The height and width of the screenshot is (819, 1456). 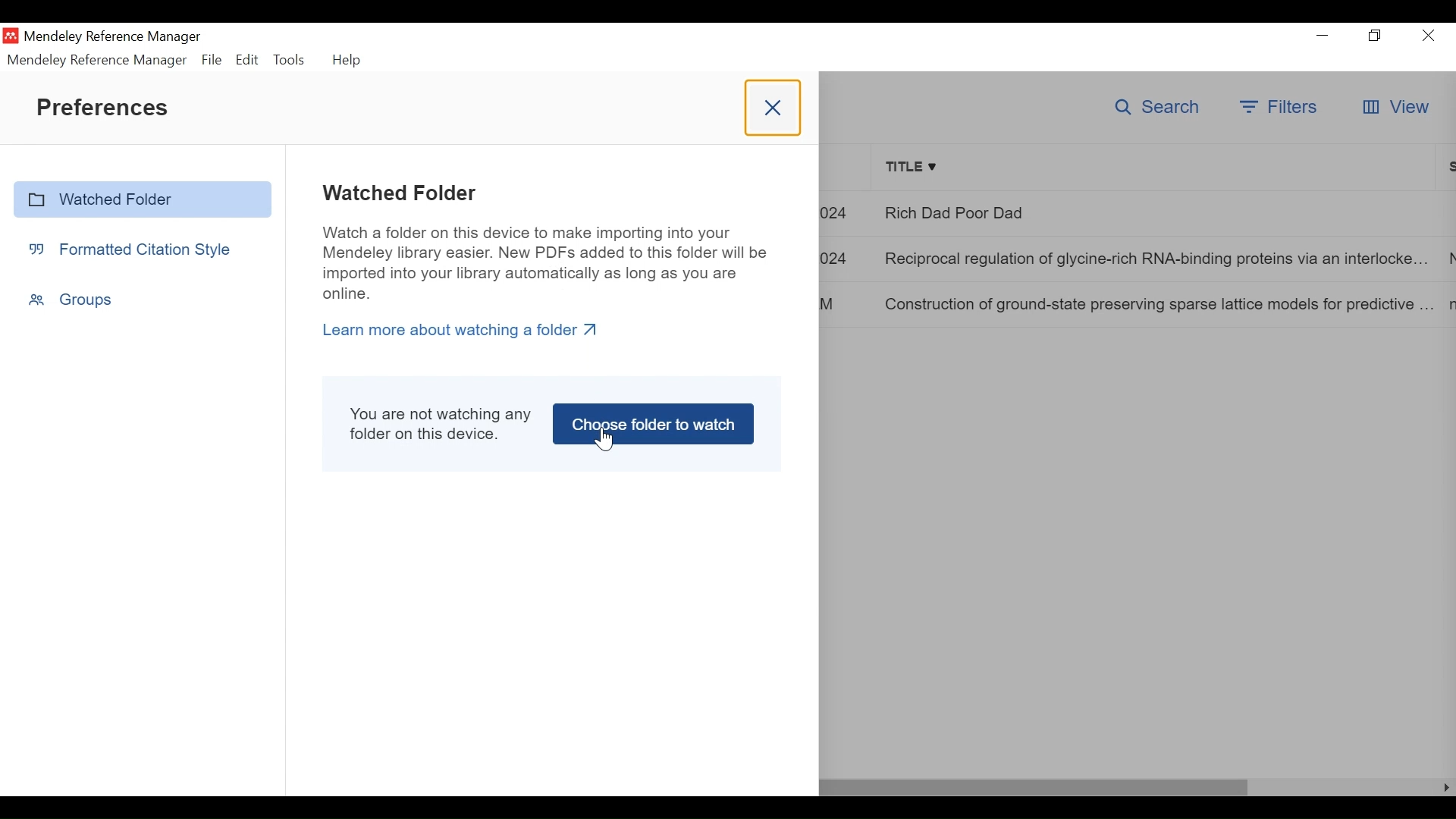 I want to click on minimize, so click(x=1323, y=34).